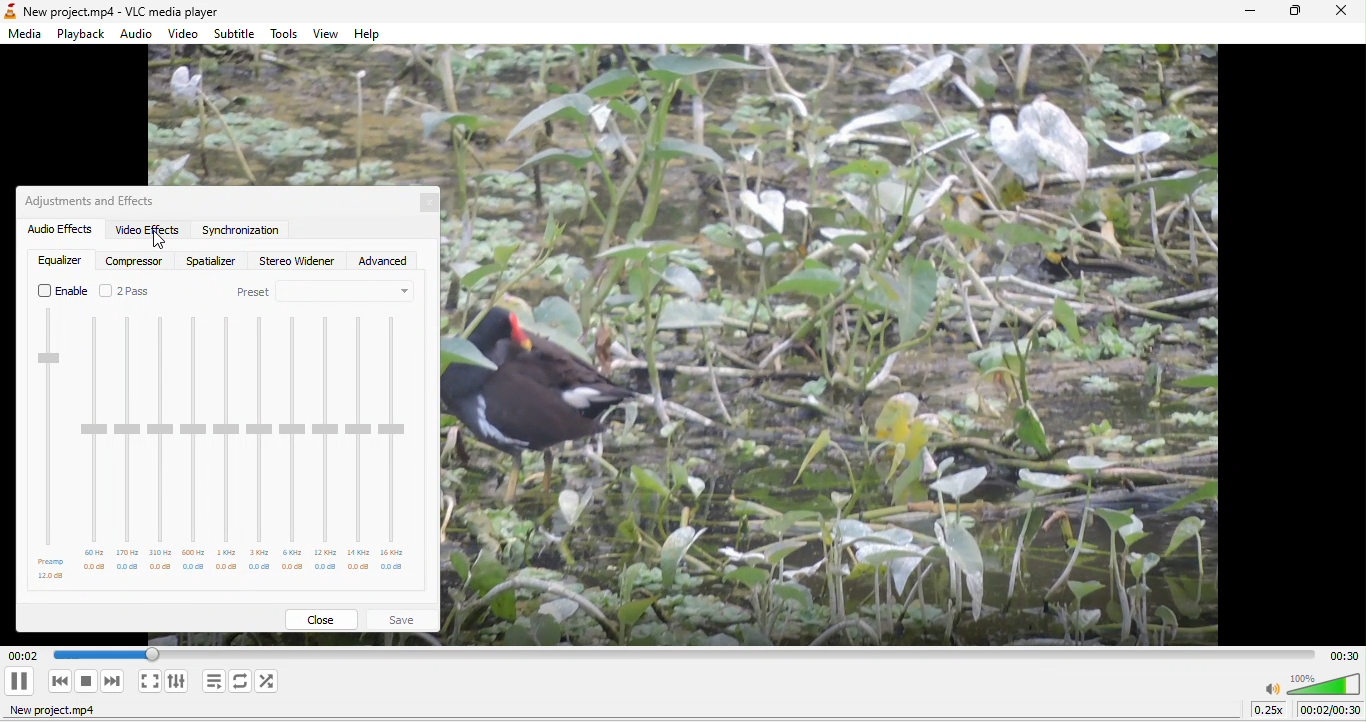 This screenshot has width=1366, height=722. I want to click on previous media, so click(59, 682).